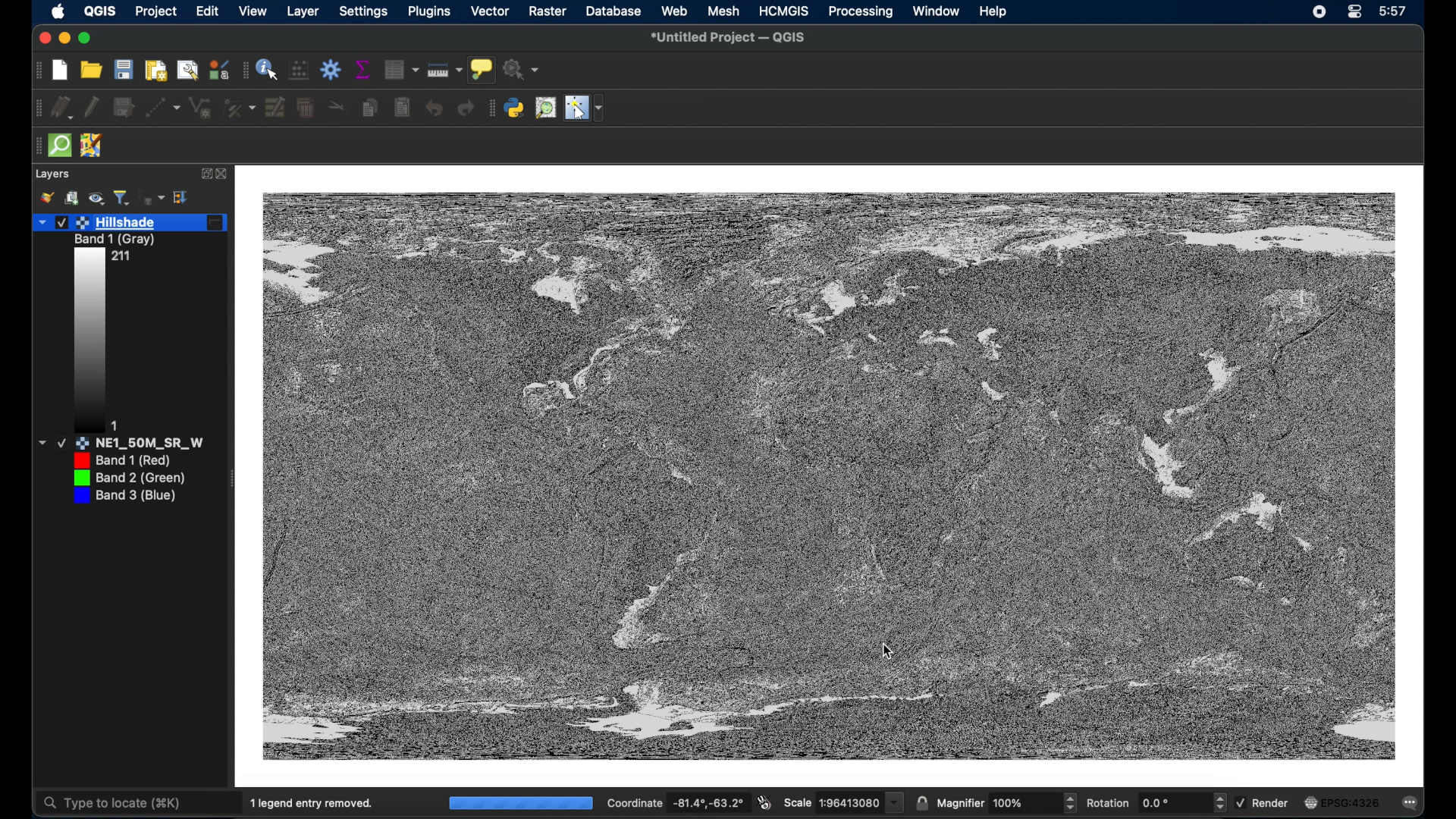 The width and height of the screenshot is (1456, 819). What do you see at coordinates (163, 108) in the screenshot?
I see `digitize with segment` at bounding box center [163, 108].